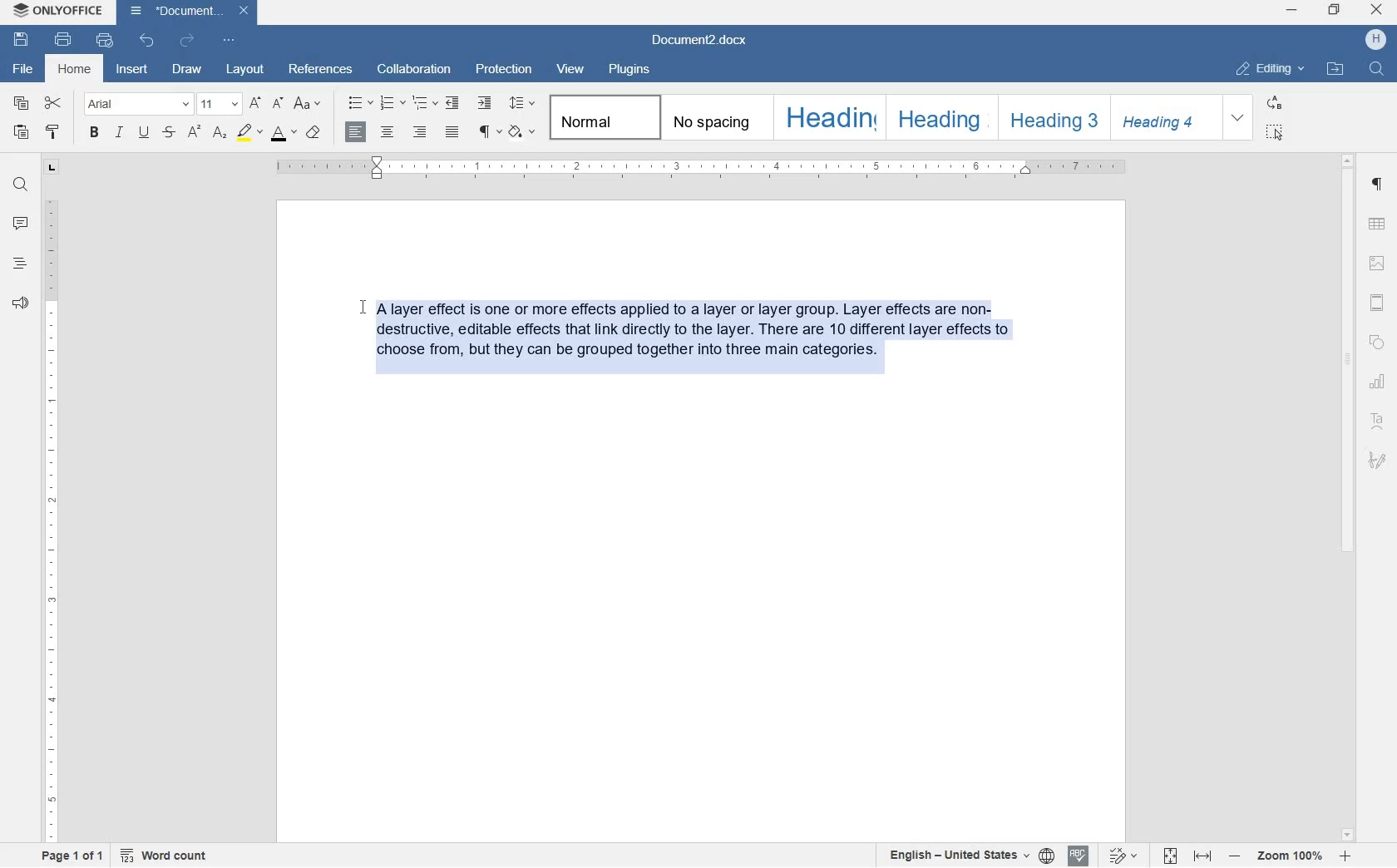 This screenshot has width=1397, height=868. What do you see at coordinates (254, 103) in the screenshot?
I see `increment font size` at bounding box center [254, 103].